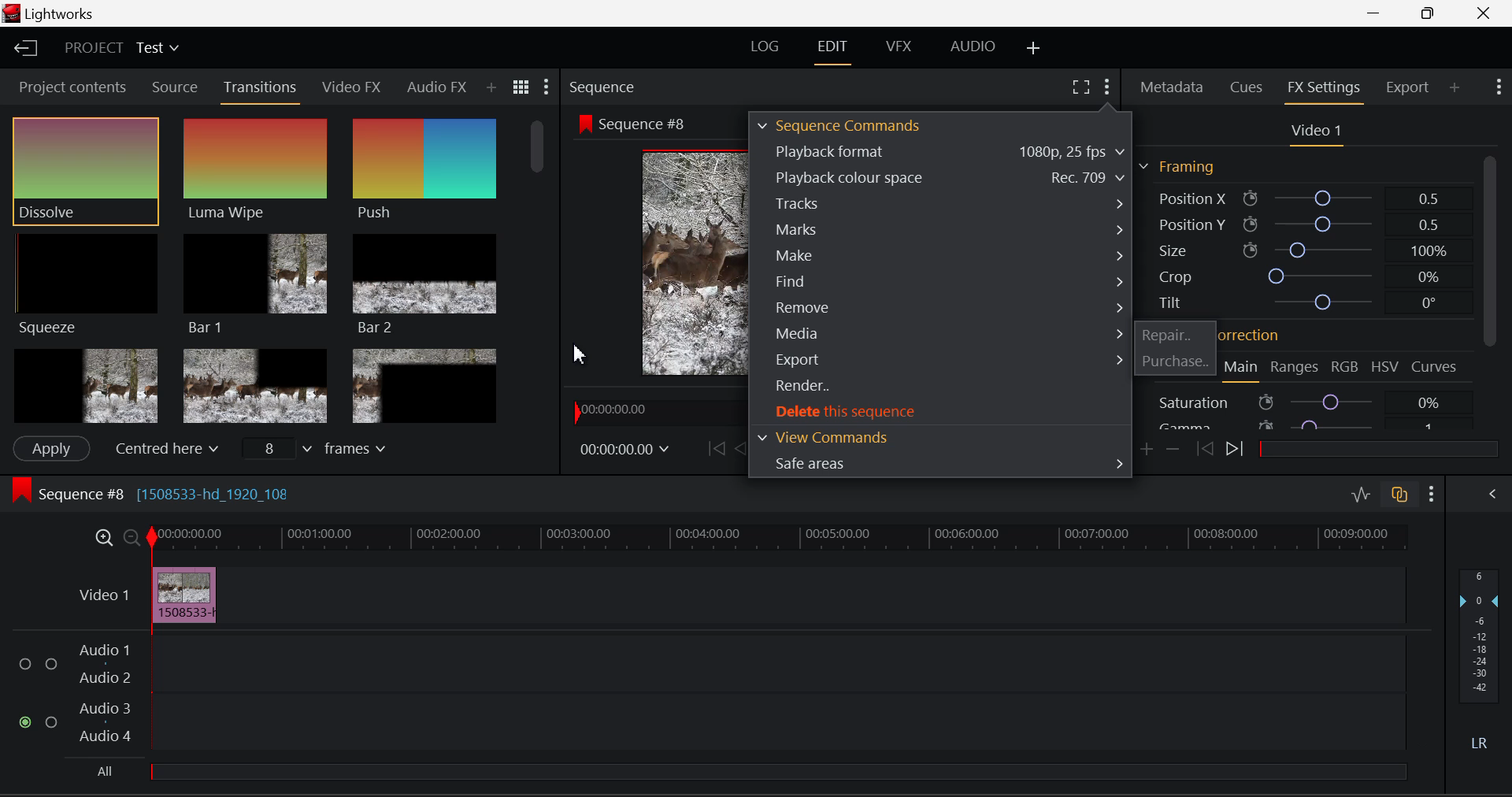 Image resolution: width=1512 pixels, height=797 pixels. I want to click on Restore Down, so click(1379, 13).